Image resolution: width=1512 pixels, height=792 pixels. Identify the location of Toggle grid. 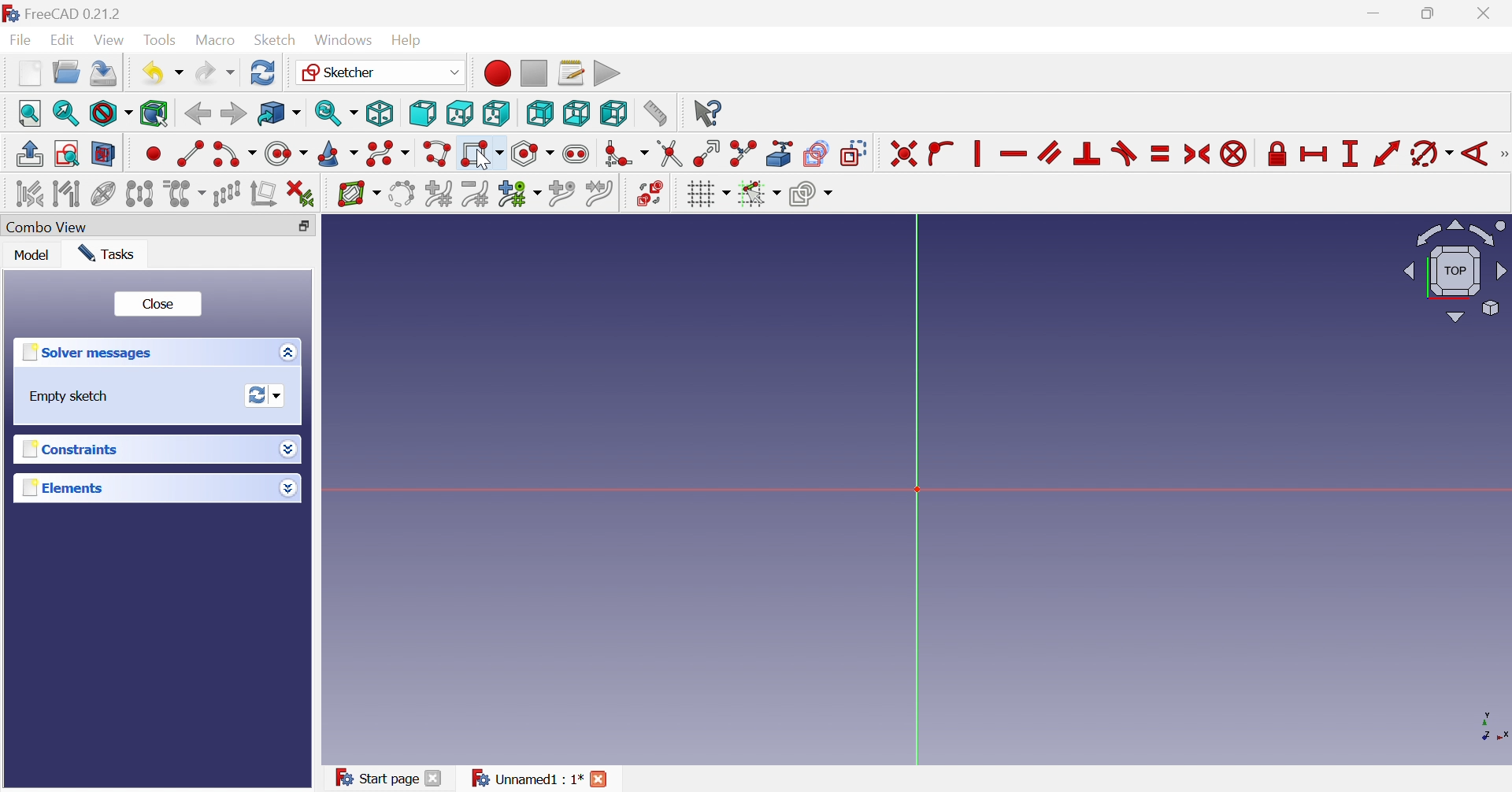
(708, 194).